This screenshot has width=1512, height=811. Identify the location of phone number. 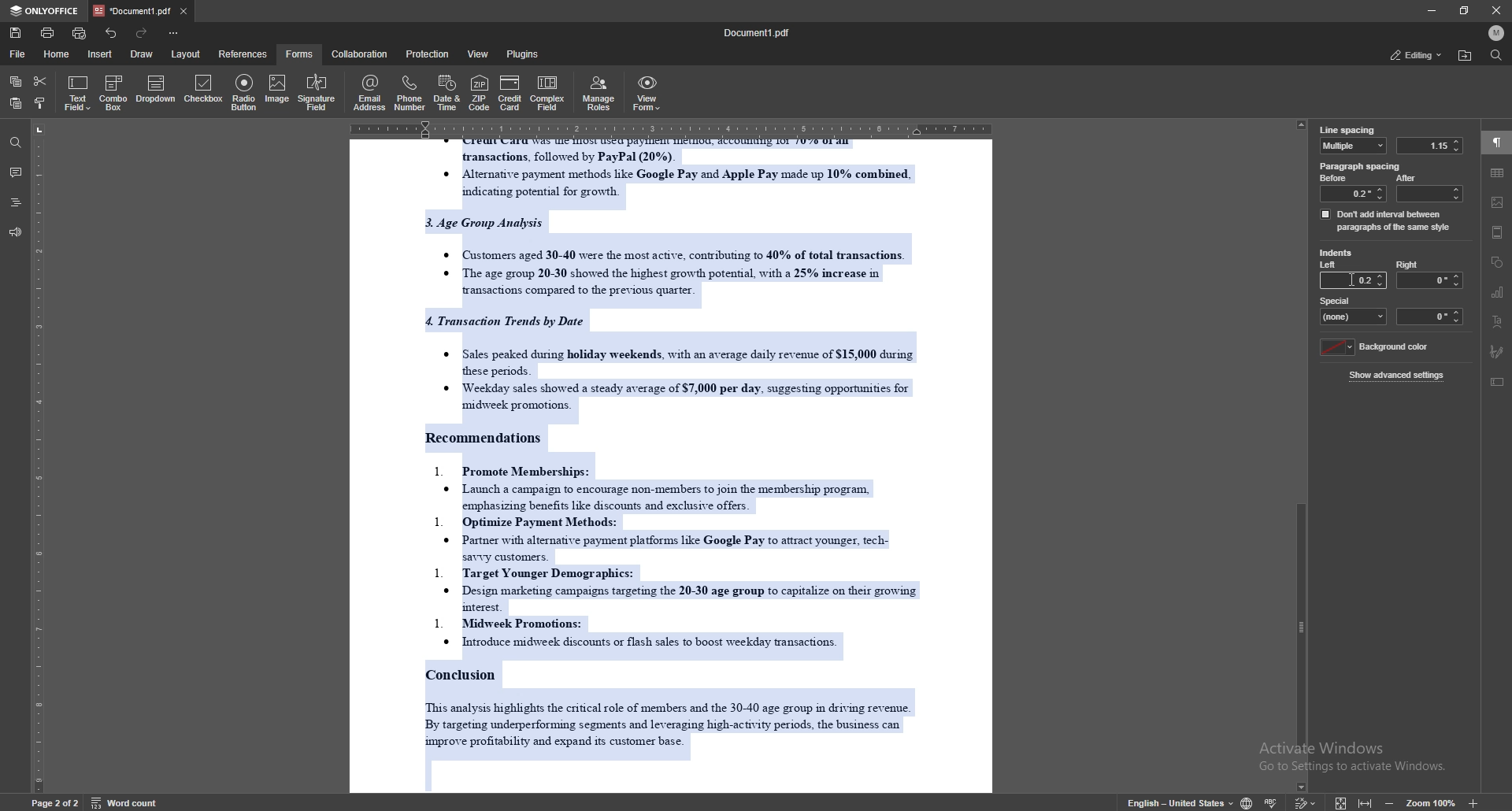
(411, 93).